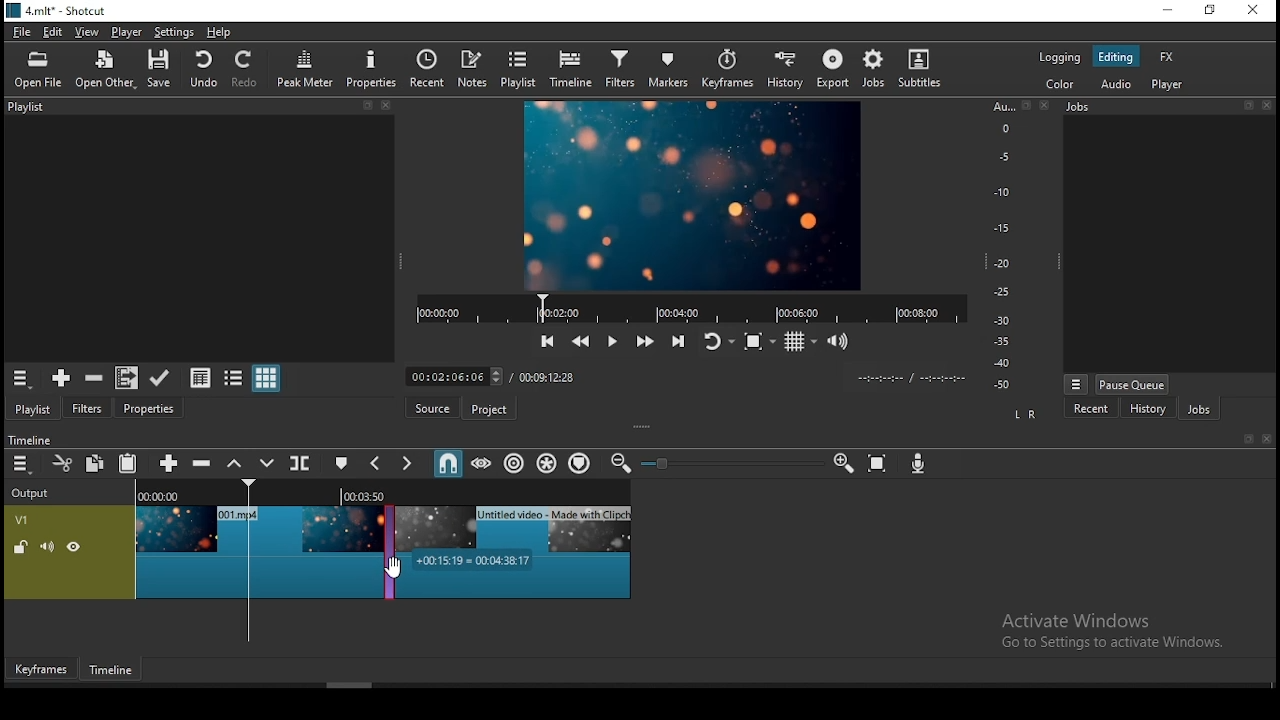 This screenshot has width=1280, height=720. Describe the element at coordinates (37, 70) in the screenshot. I see `open file` at that location.